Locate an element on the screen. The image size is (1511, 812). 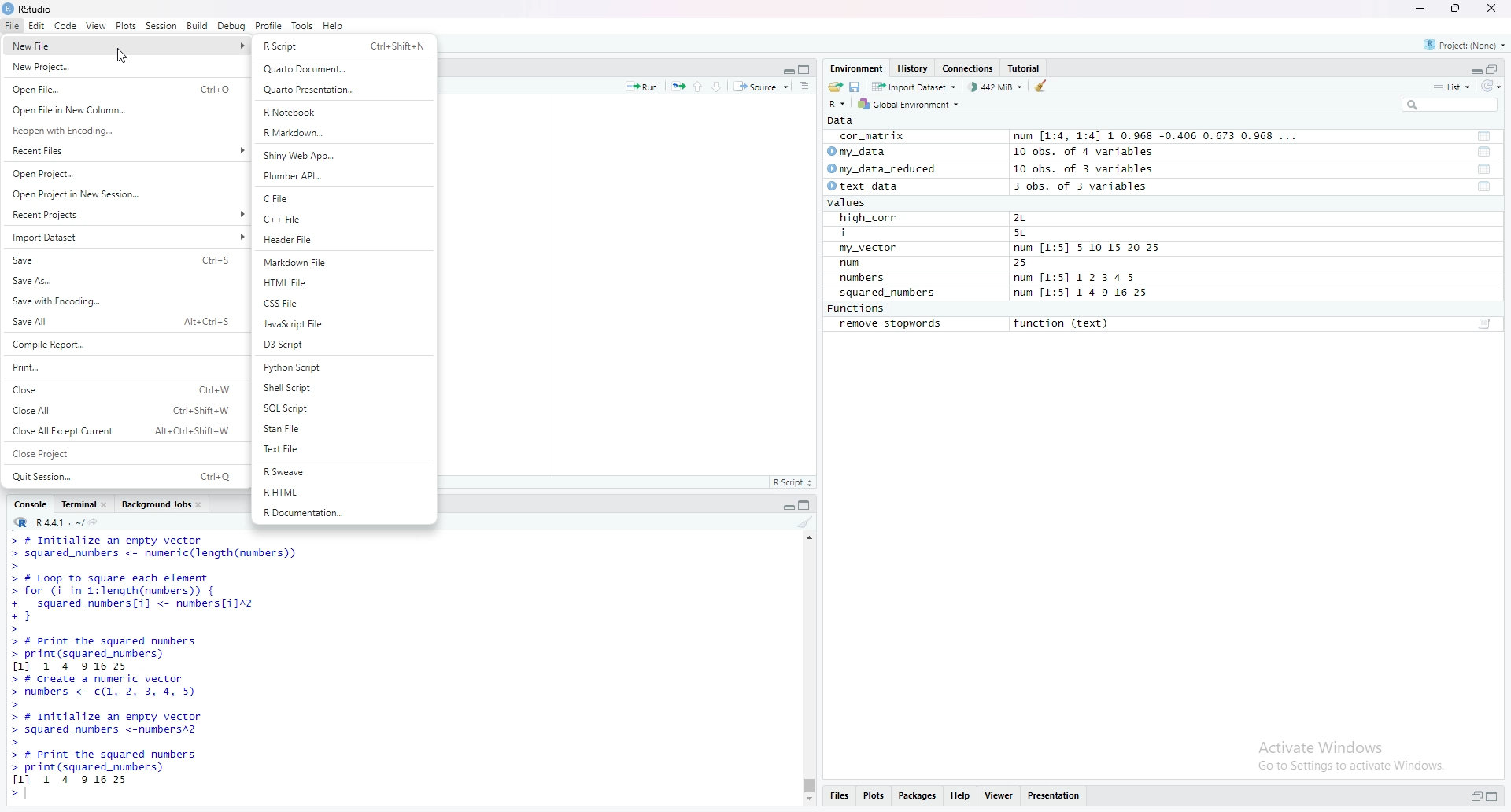
‘Quarto Document... is located at coordinates (345, 70).